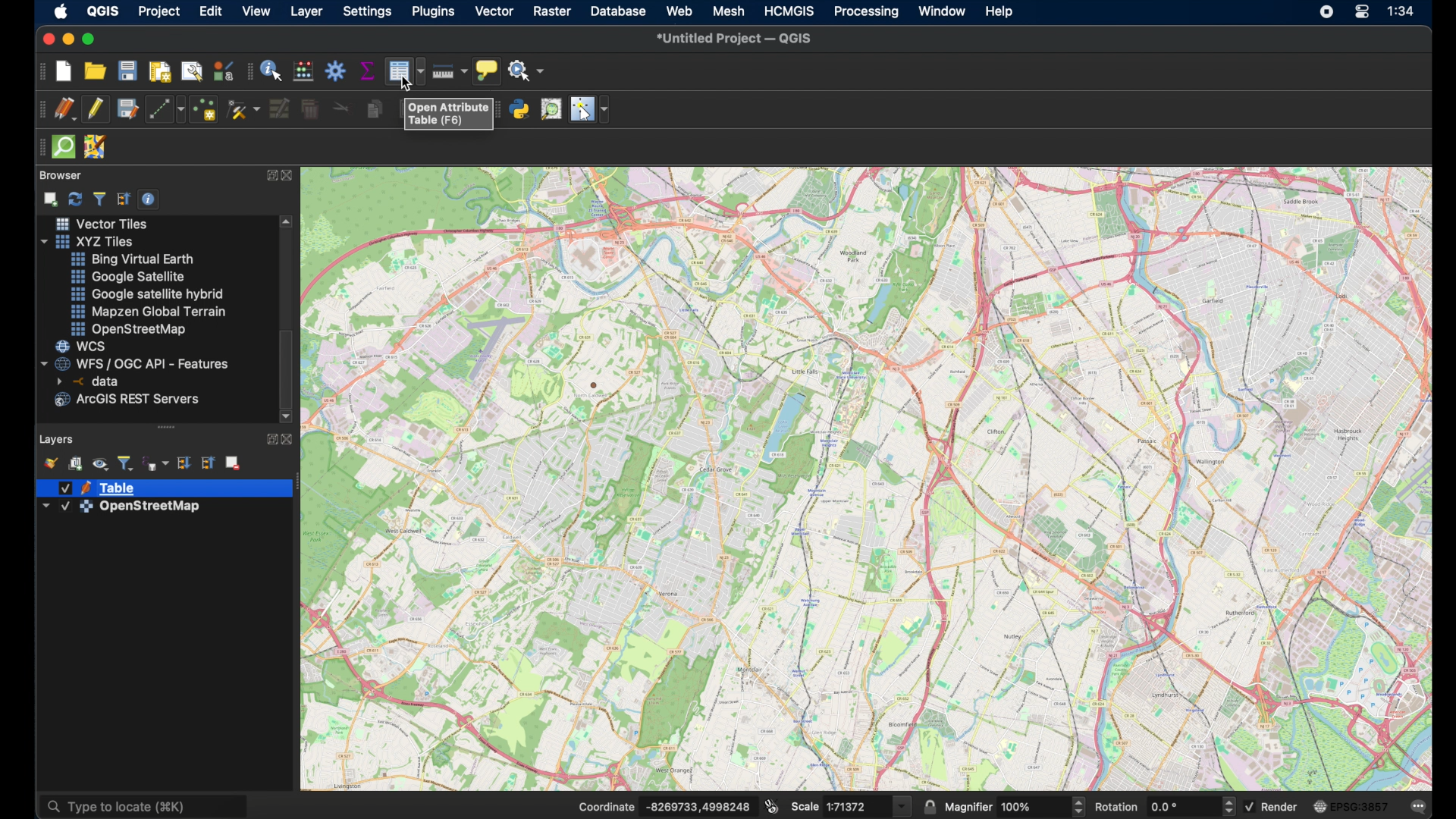 The image size is (1456, 819). I want to click on toggle extents and mouse position display, so click(773, 805).